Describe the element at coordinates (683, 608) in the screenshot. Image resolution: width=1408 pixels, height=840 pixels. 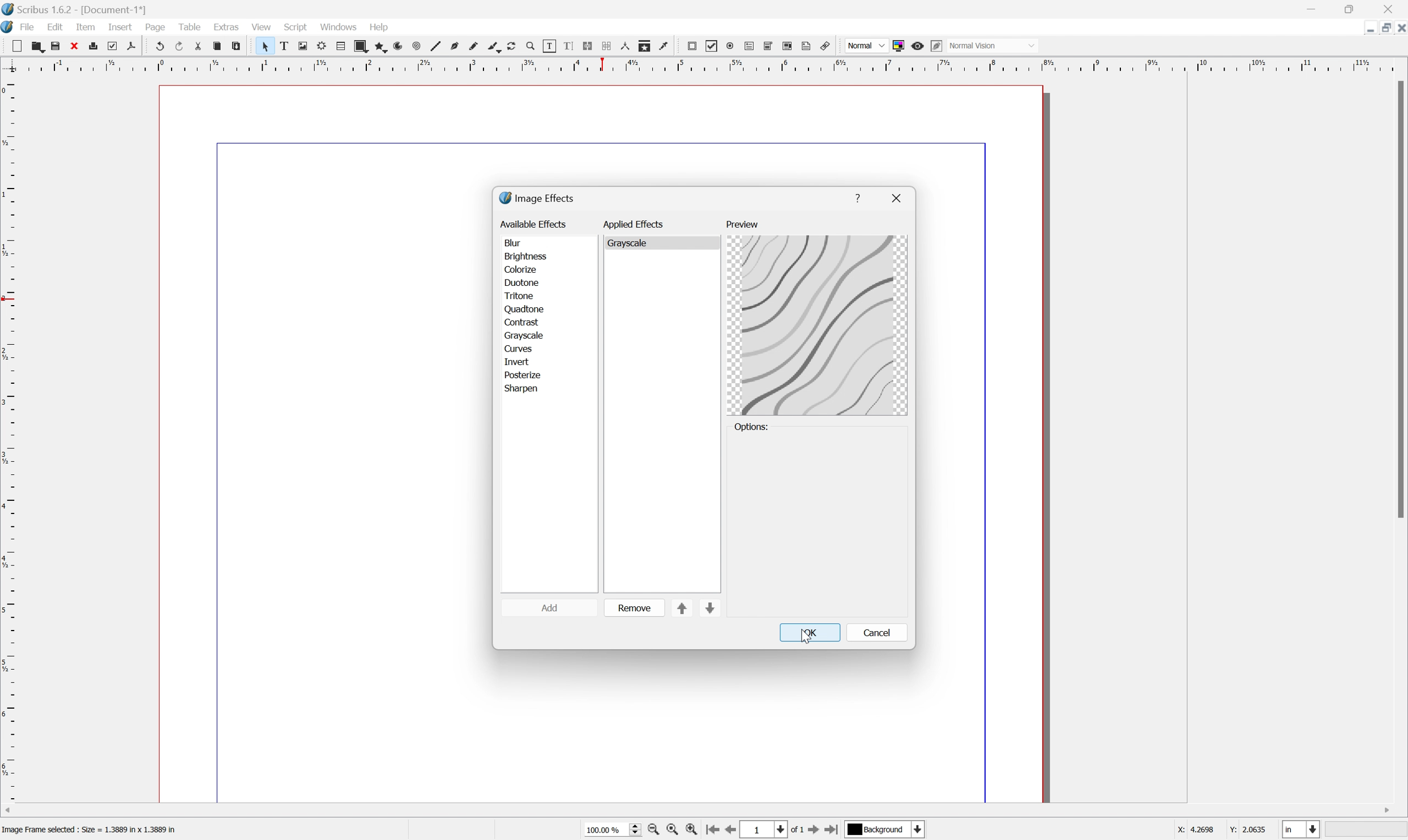
I see `up` at that location.